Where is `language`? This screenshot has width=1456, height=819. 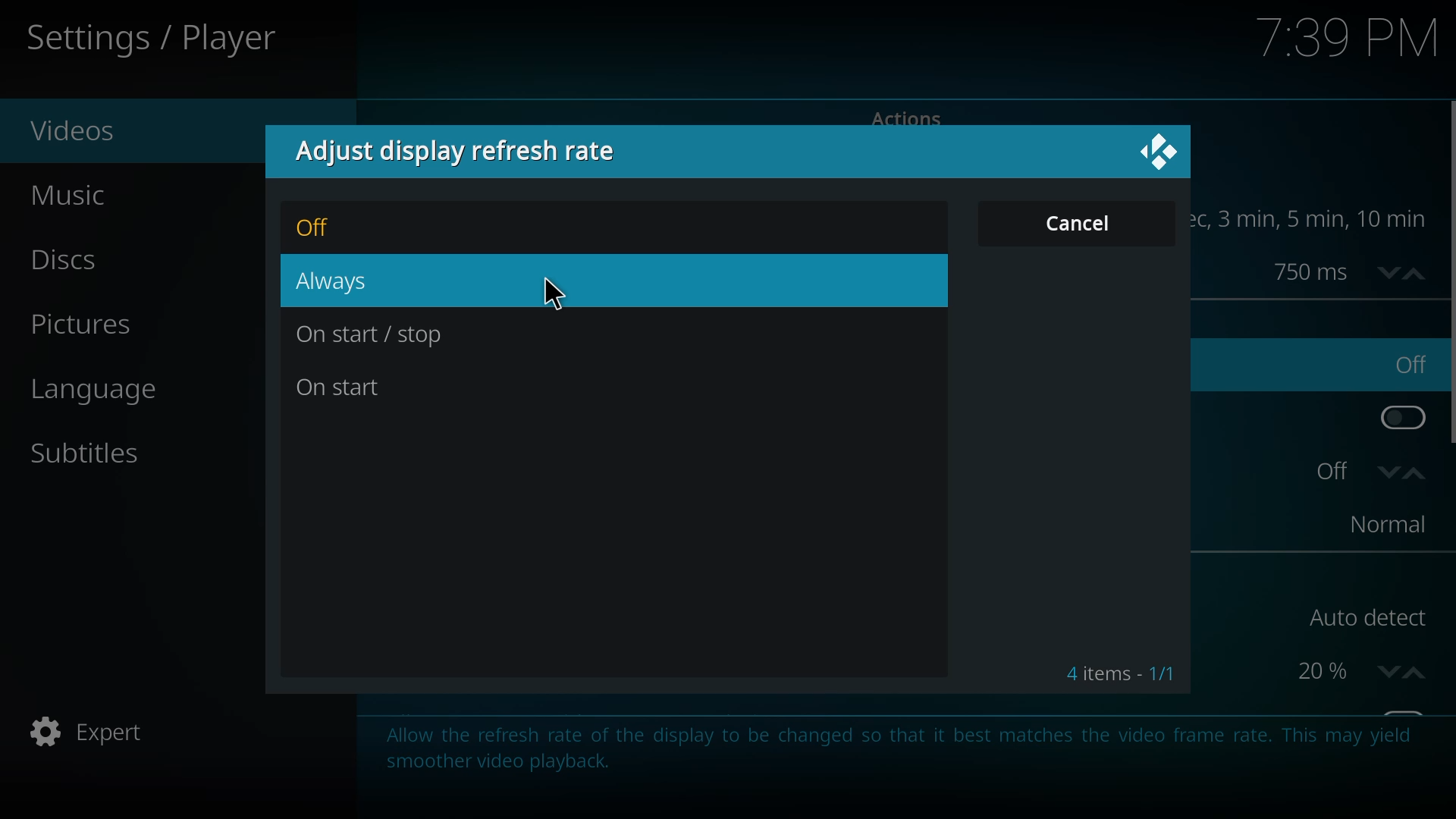
language is located at coordinates (111, 393).